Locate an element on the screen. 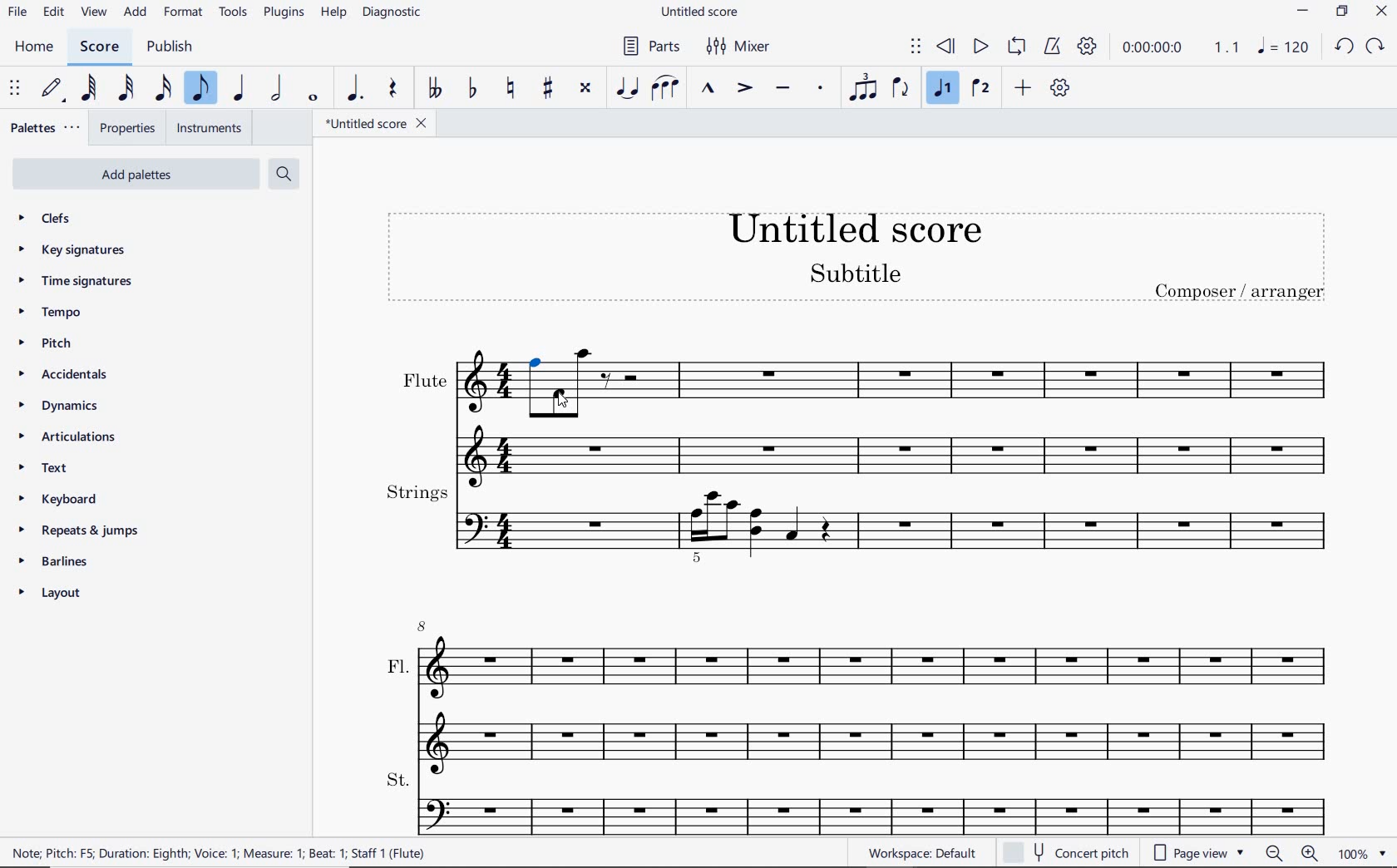 This screenshot has width=1397, height=868. SELECT TO MOVE is located at coordinates (916, 47).